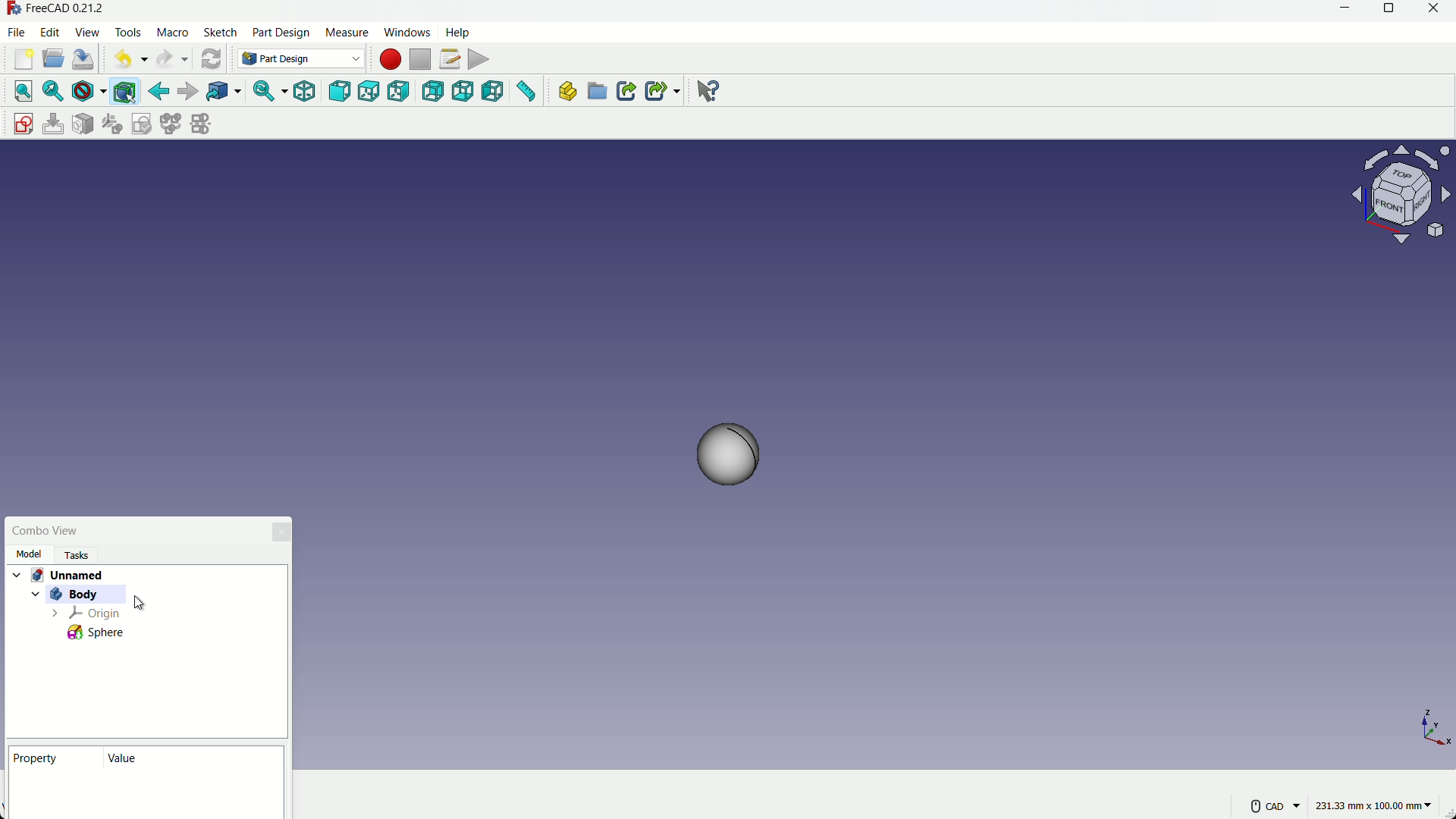 This screenshot has width=1456, height=819. I want to click on view menu, so click(87, 31).